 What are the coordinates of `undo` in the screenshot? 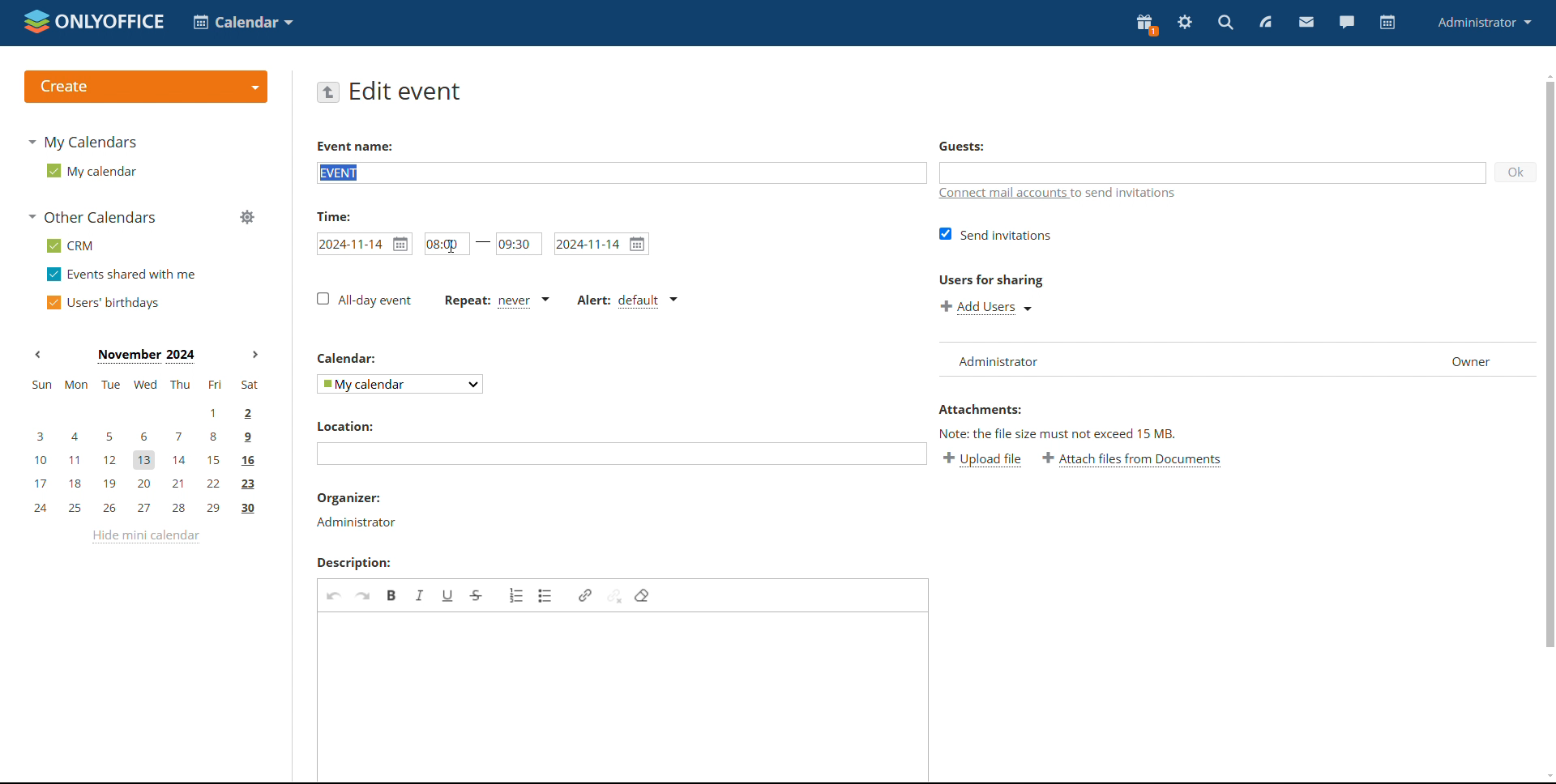 It's located at (333, 595).